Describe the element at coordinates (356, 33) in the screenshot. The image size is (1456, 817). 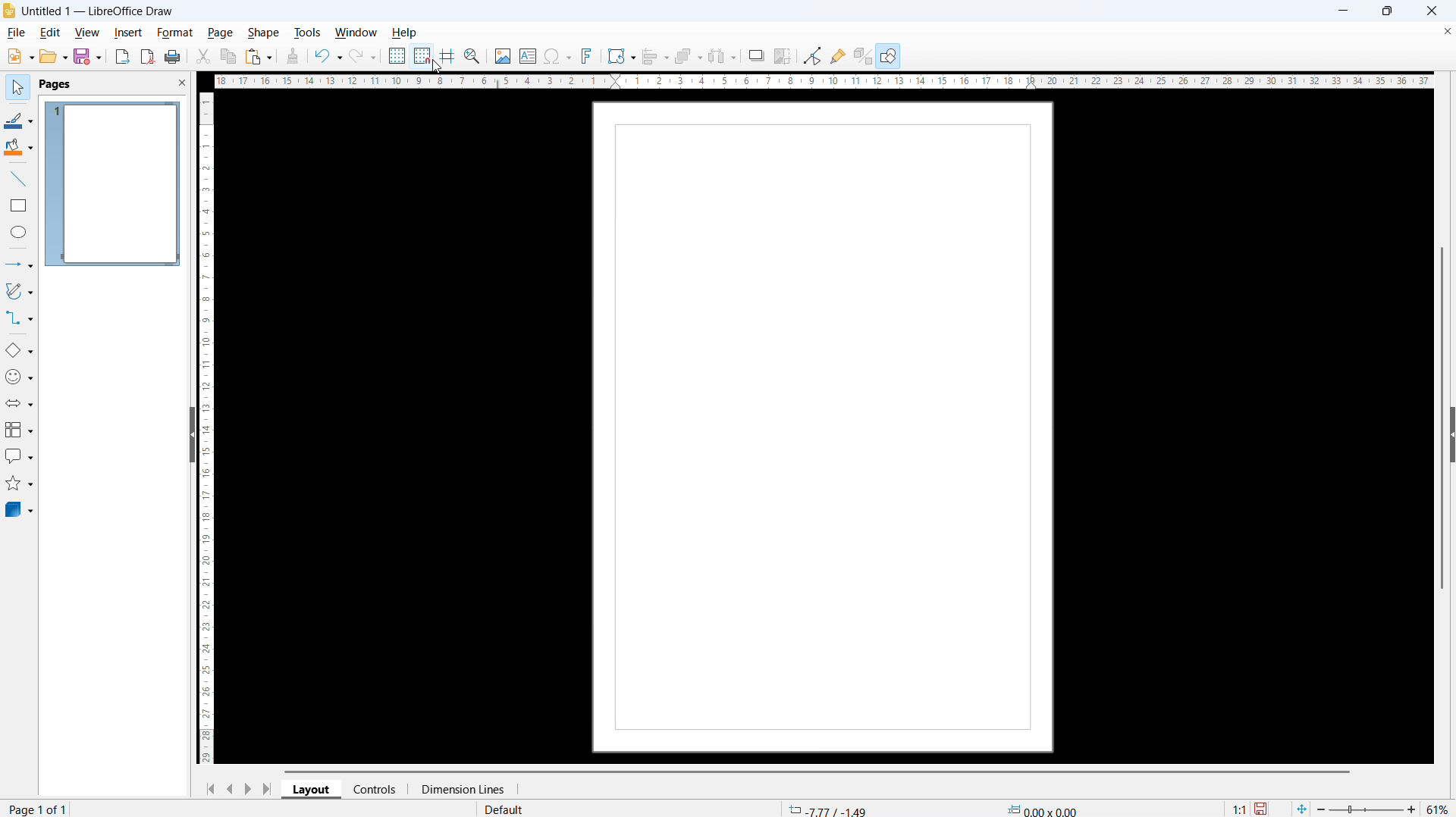
I see `Window ` at that location.